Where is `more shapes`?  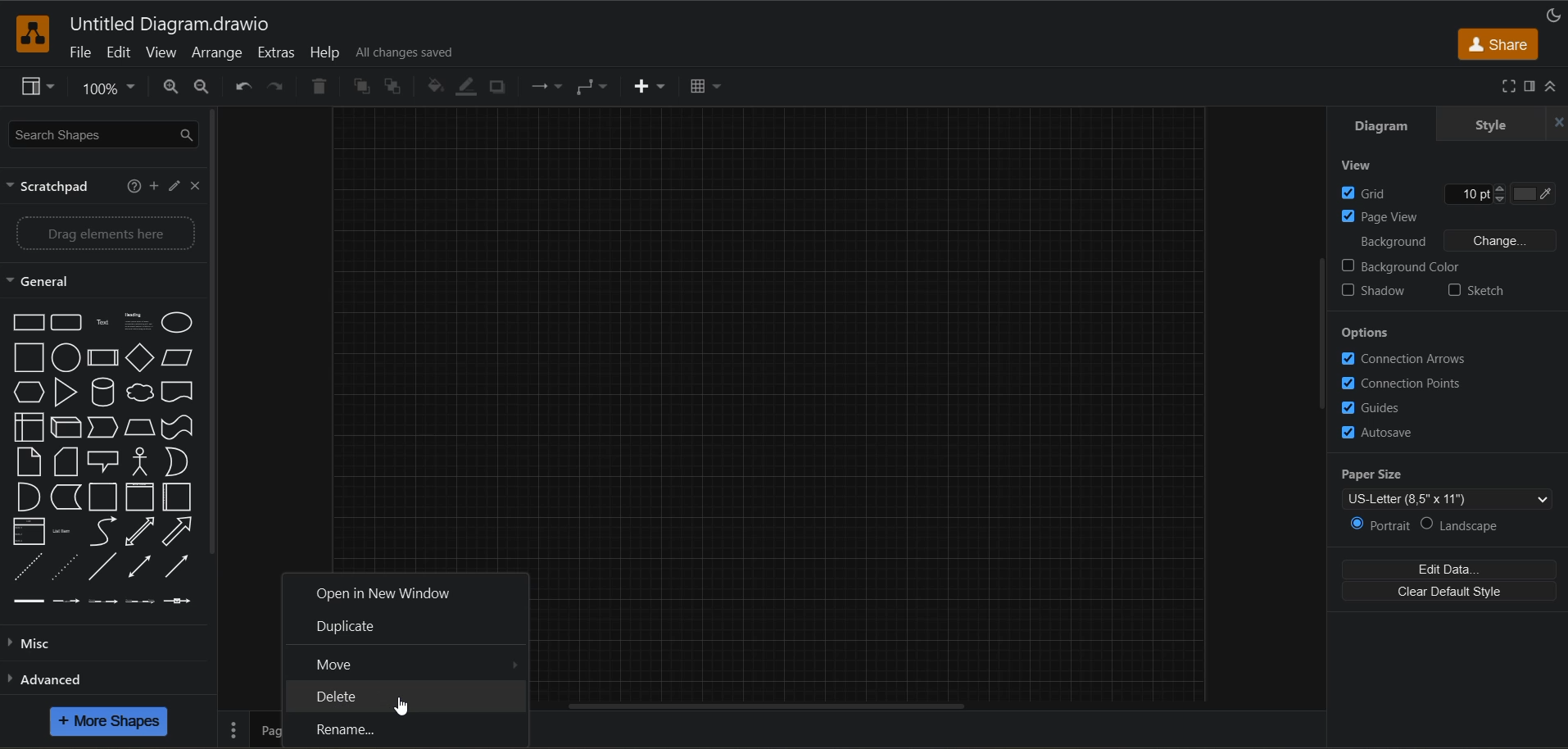
more shapes is located at coordinates (110, 720).